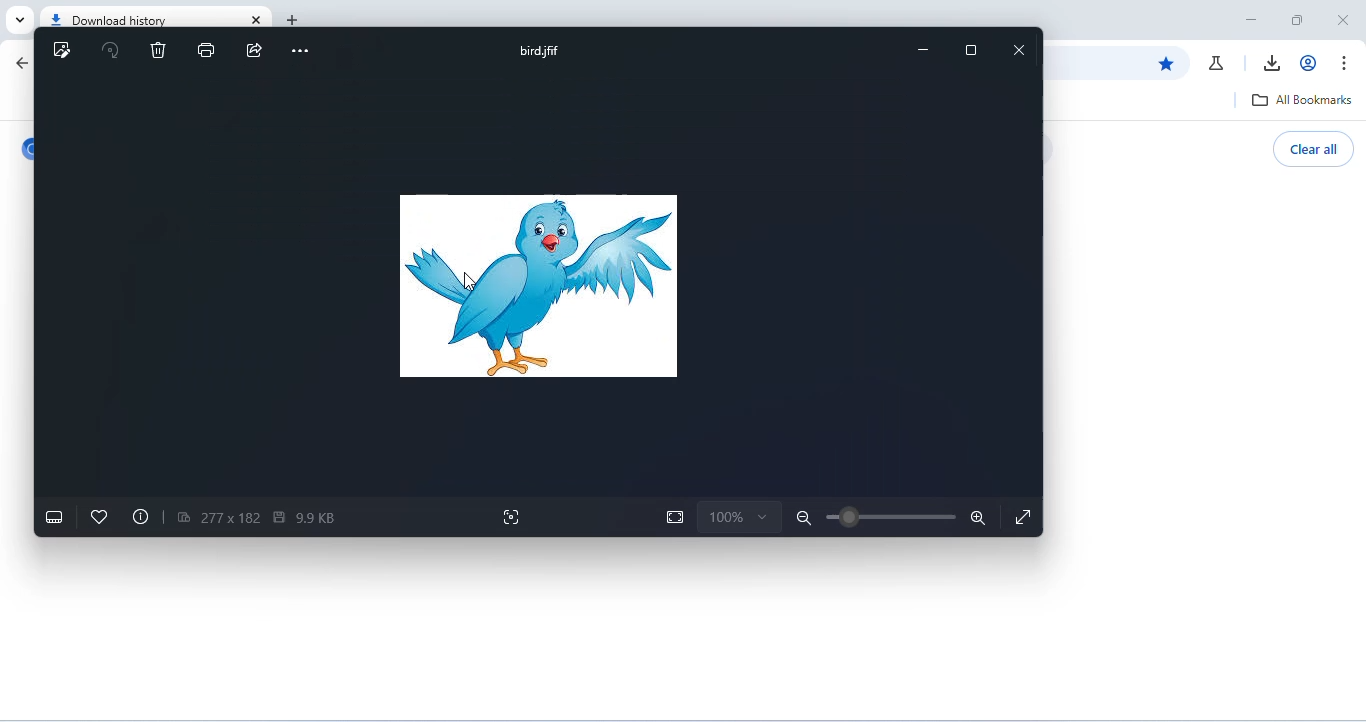  What do you see at coordinates (252, 18) in the screenshot?
I see `close tab` at bounding box center [252, 18].